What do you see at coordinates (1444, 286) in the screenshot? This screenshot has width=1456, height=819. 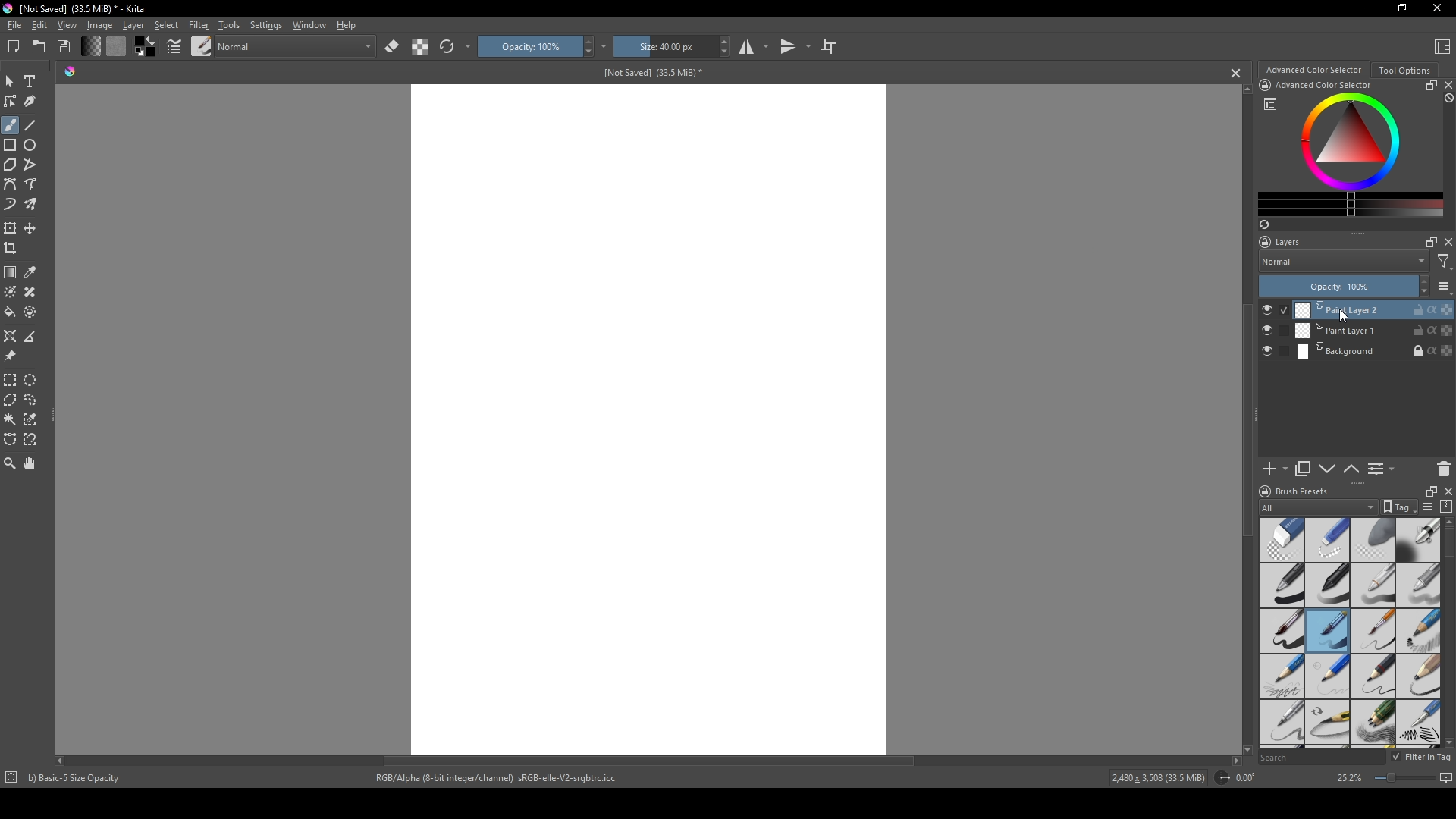 I see `list` at bounding box center [1444, 286].